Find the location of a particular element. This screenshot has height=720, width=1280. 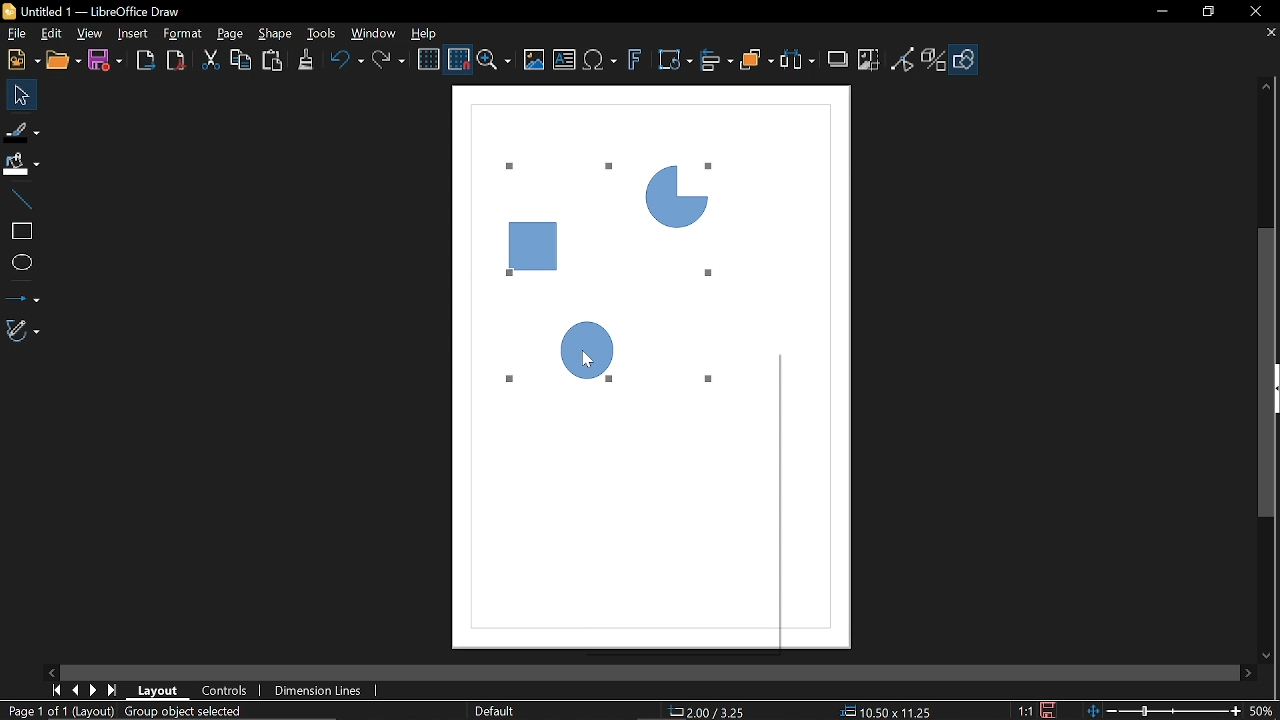

Next page is located at coordinates (94, 690).